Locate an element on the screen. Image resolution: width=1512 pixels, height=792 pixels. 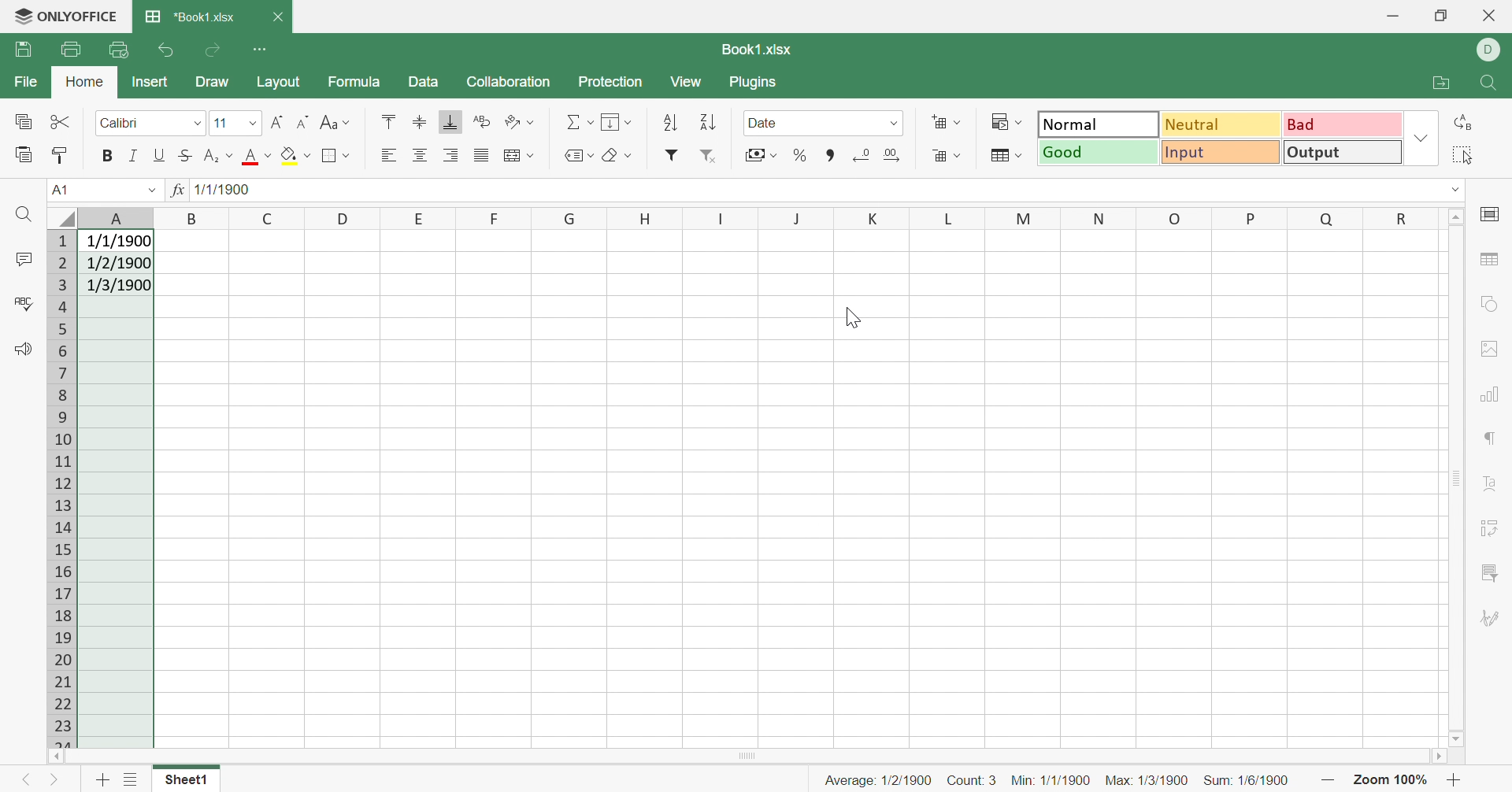
Spell checking is located at coordinates (24, 301).